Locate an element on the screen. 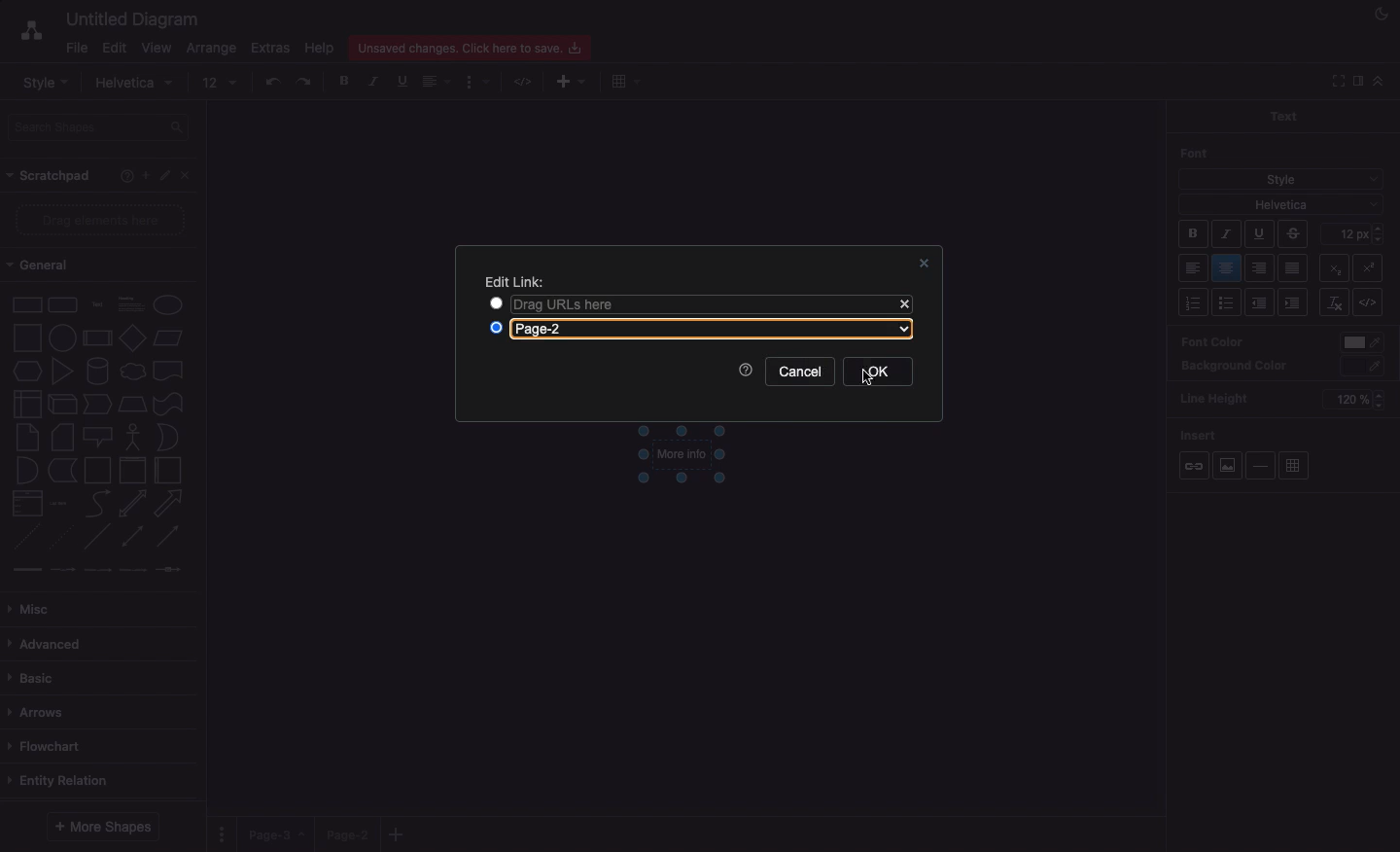 This screenshot has width=1400, height=852. Flowchart is located at coordinates (53, 747).